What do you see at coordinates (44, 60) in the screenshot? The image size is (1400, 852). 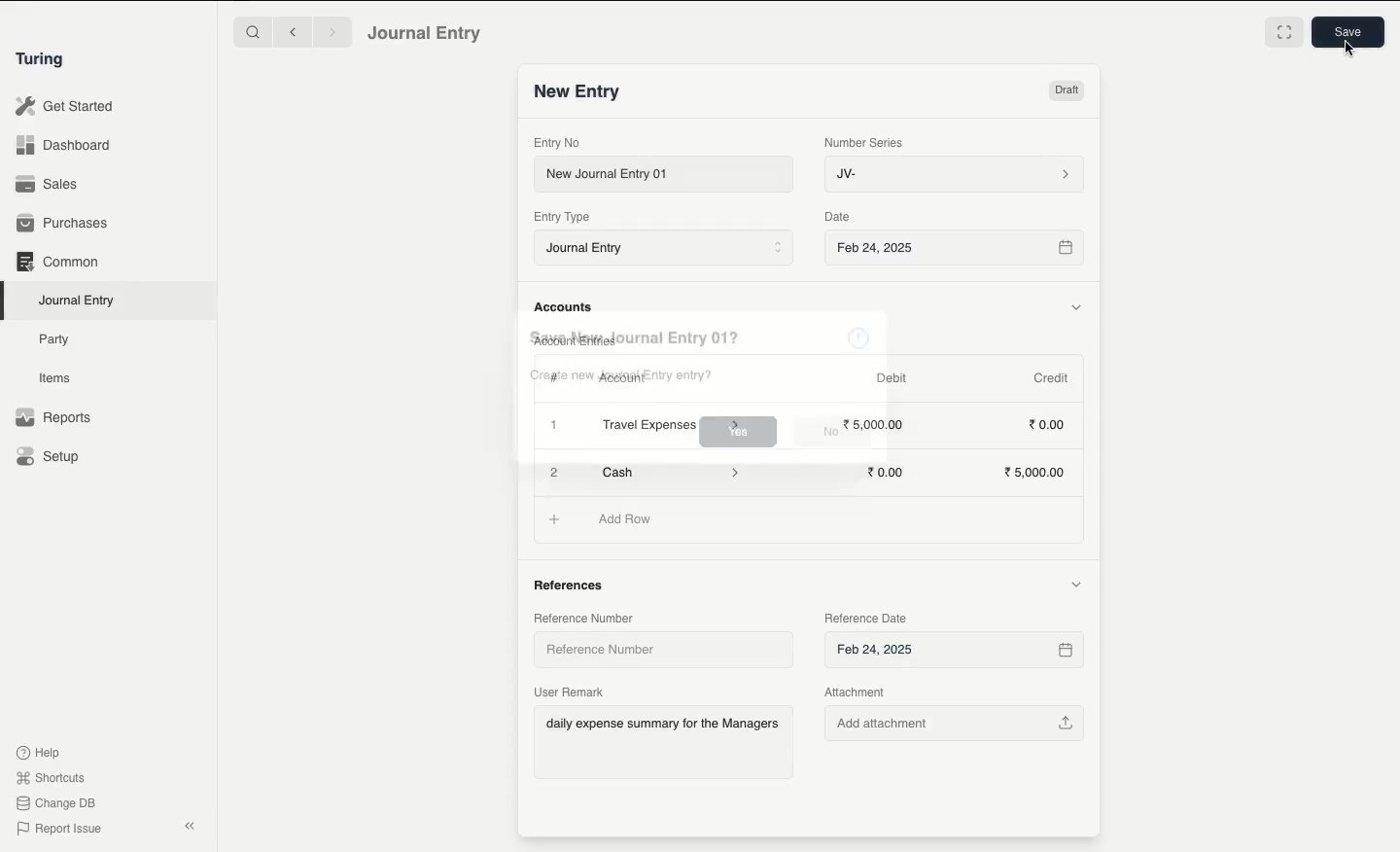 I see `Turing` at bounding box center [44, 60].